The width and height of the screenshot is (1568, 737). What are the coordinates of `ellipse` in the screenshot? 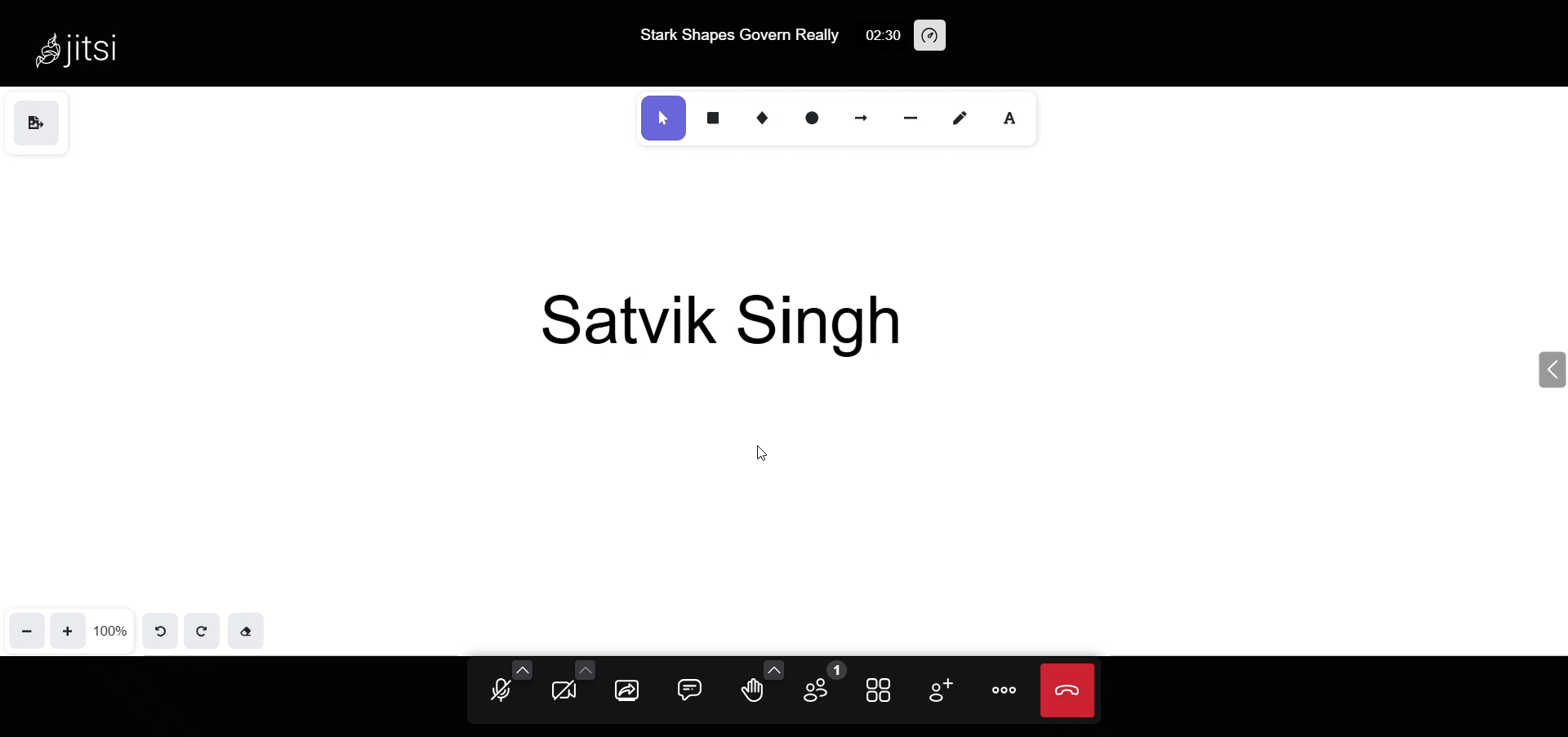 It's located at (814, 118).